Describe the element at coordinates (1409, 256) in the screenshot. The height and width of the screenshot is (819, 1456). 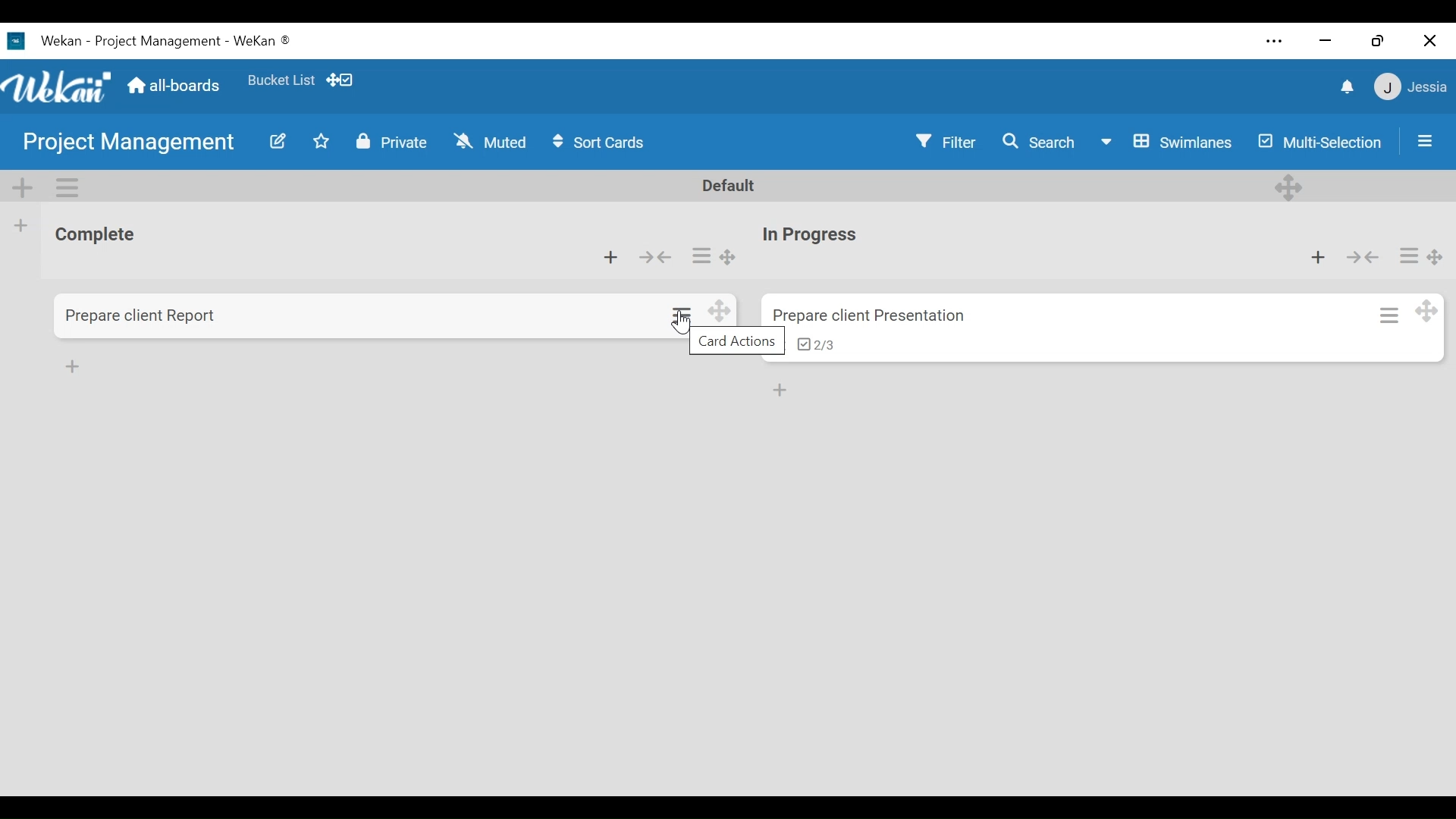
I see `Card actions` at that location.